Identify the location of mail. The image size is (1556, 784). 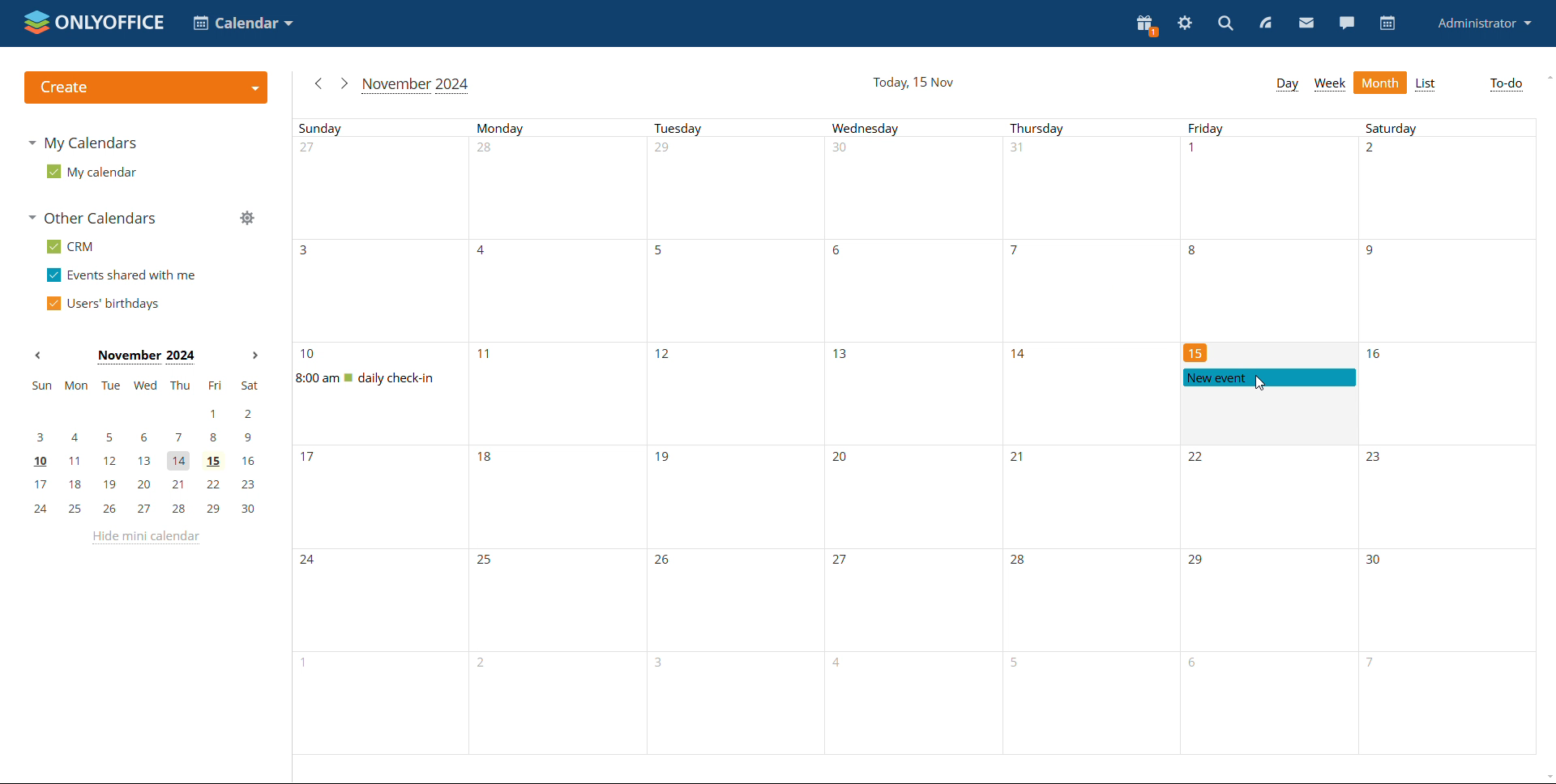
(1306, 23).